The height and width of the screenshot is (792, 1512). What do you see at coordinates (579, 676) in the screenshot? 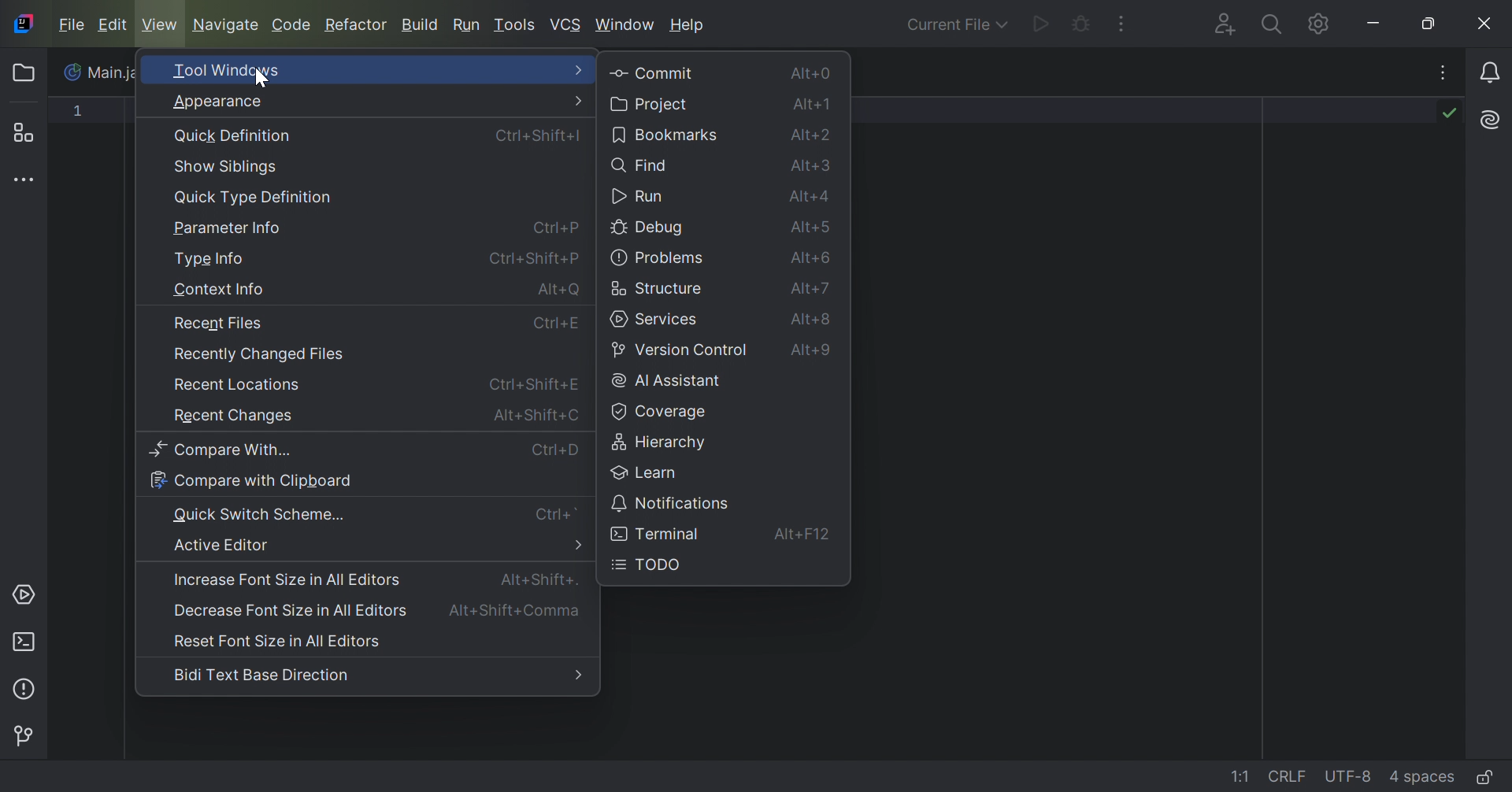
I see `More` at bounding box center [579, 676].